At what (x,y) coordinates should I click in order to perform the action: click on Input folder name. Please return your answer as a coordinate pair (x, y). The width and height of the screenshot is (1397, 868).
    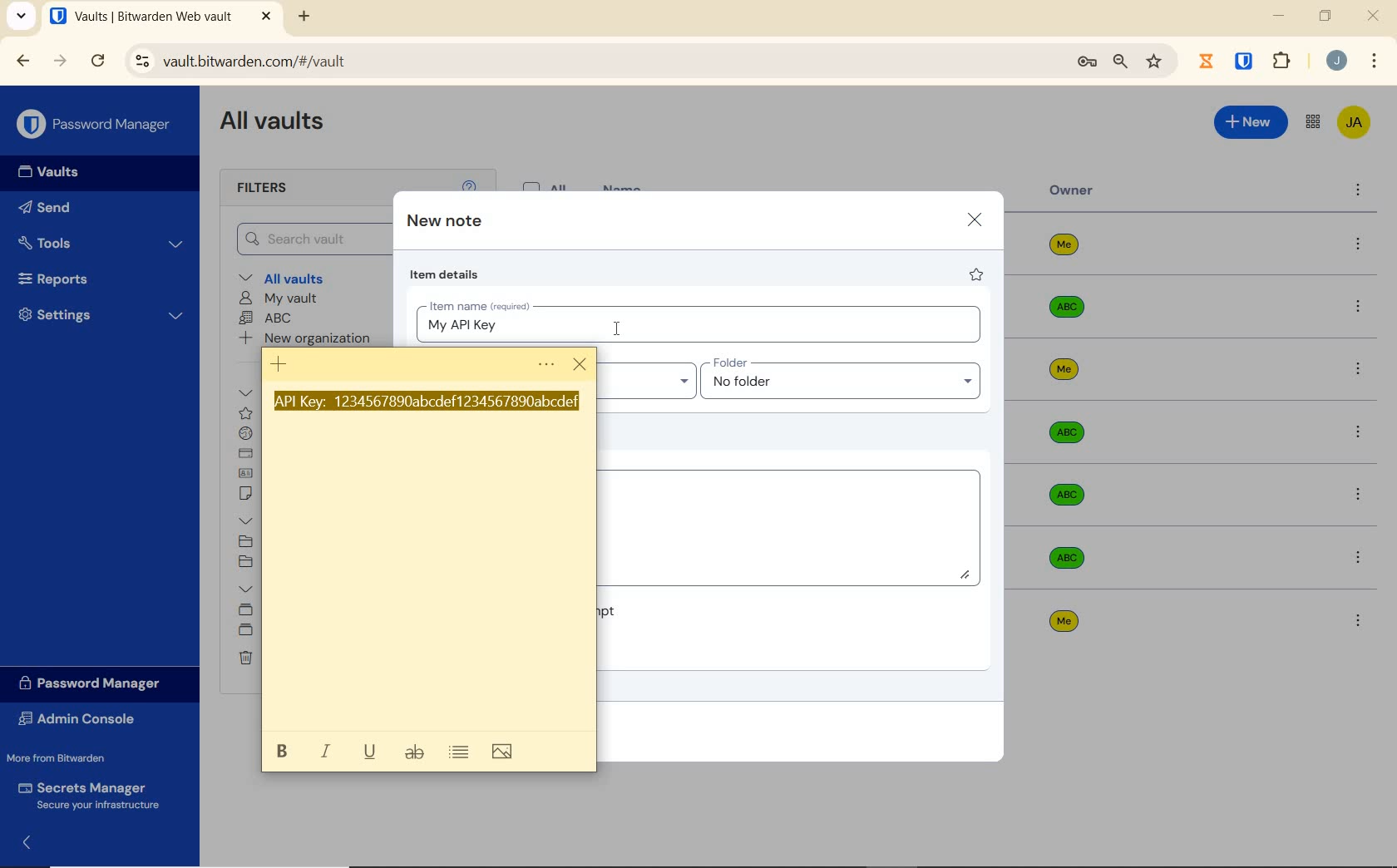
    Looking at the image, I should click on (844, 379).